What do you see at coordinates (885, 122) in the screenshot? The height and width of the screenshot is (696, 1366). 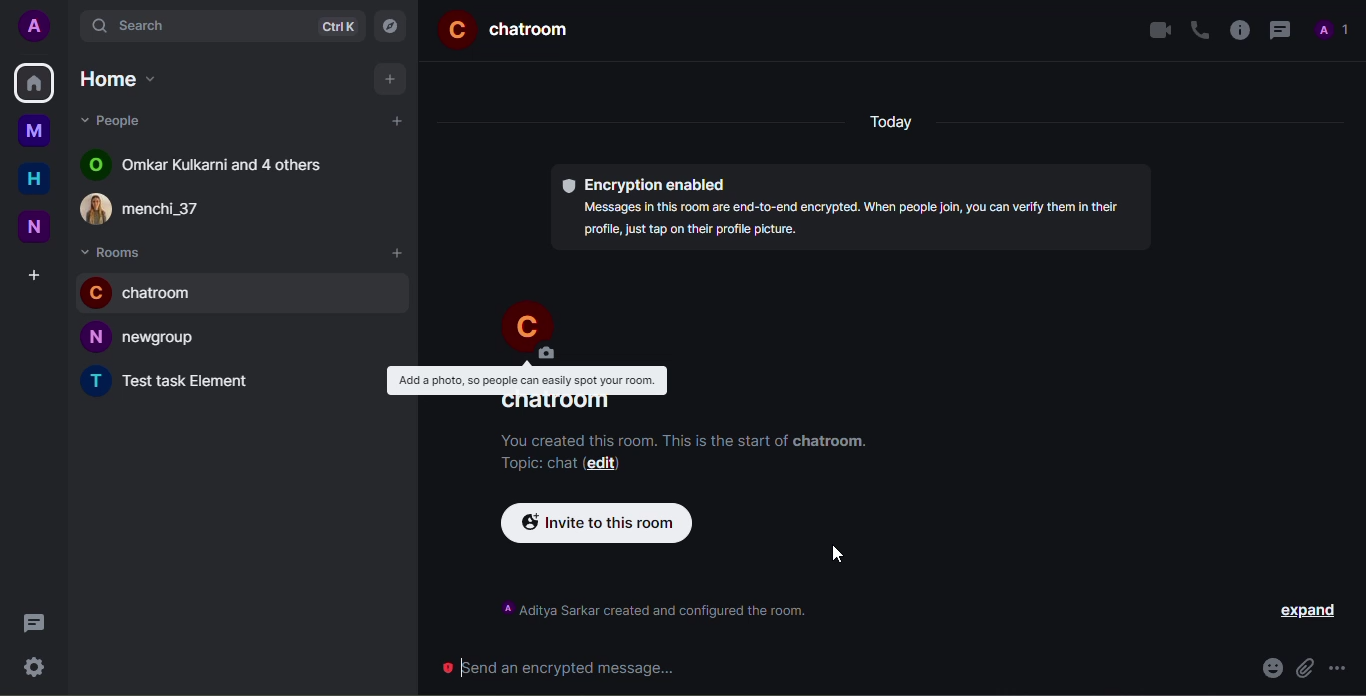 I see `today` at bounding box center [885, 122].